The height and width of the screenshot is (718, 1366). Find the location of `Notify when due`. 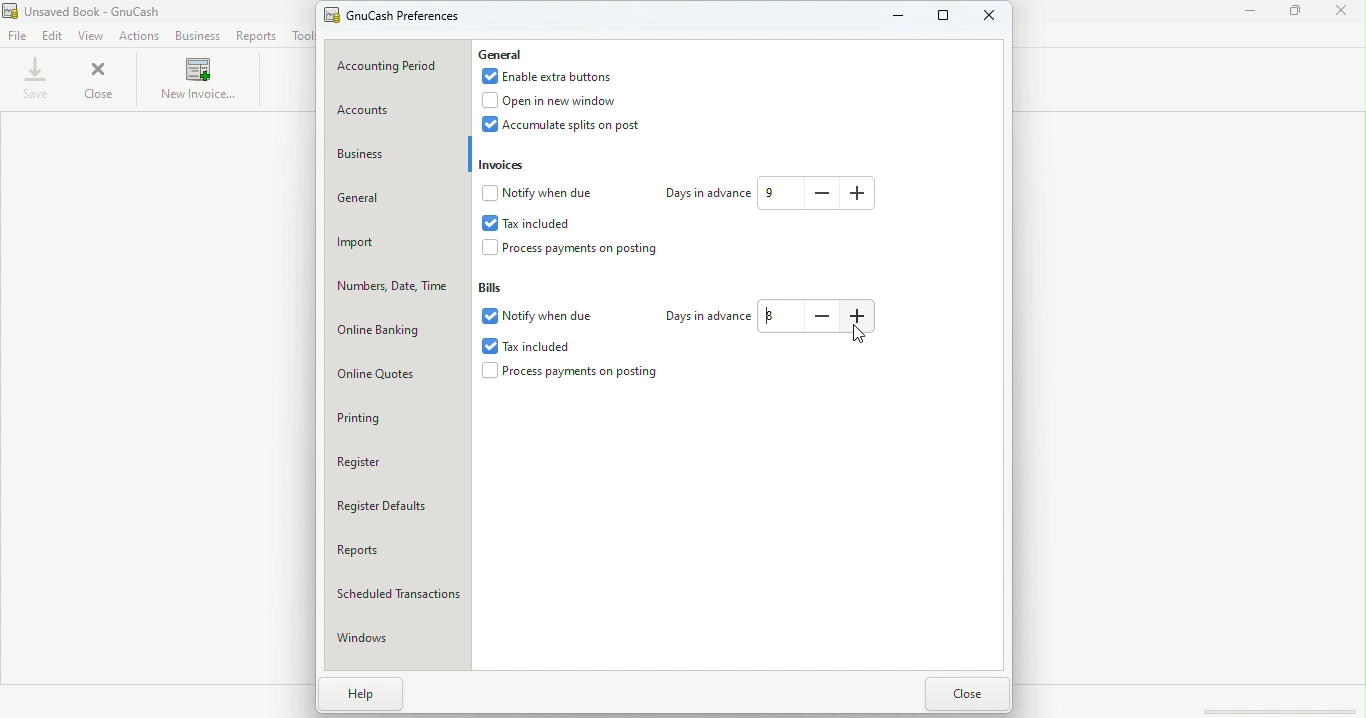

Notify when due is located at coordinates (537, 318).